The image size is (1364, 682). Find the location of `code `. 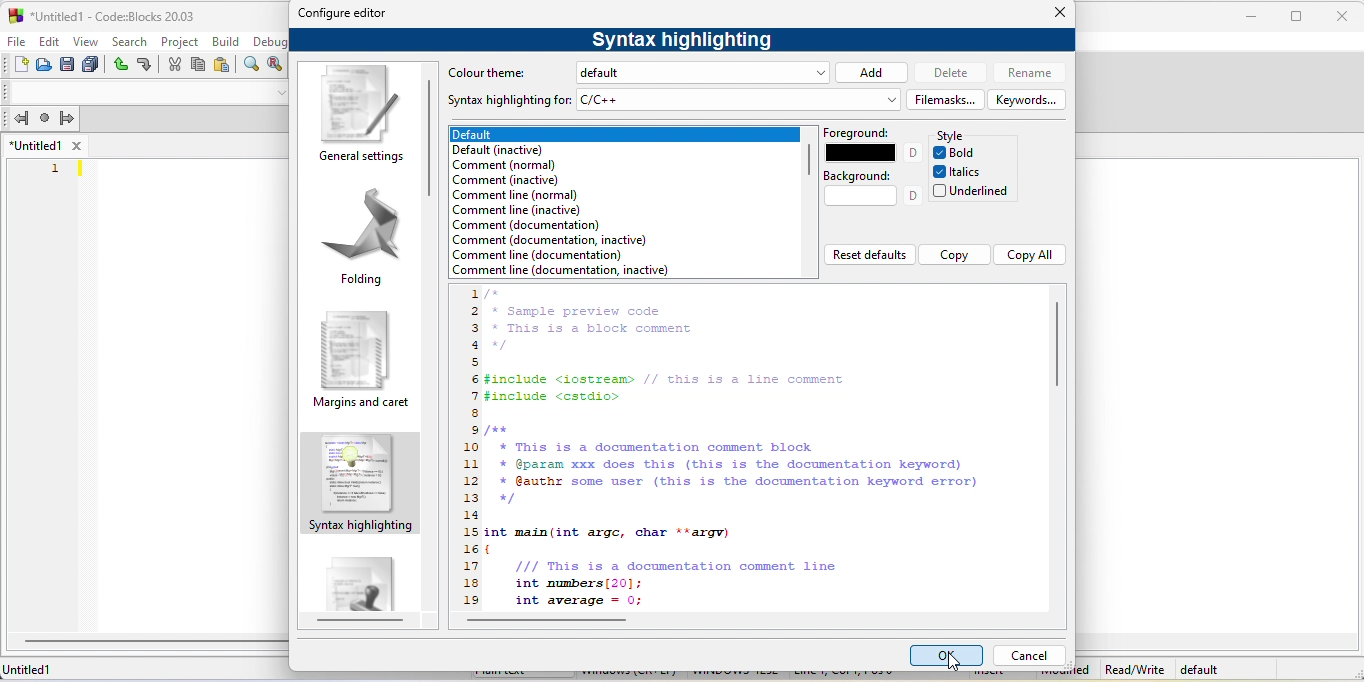

code  is located at coordinates (688, 567).